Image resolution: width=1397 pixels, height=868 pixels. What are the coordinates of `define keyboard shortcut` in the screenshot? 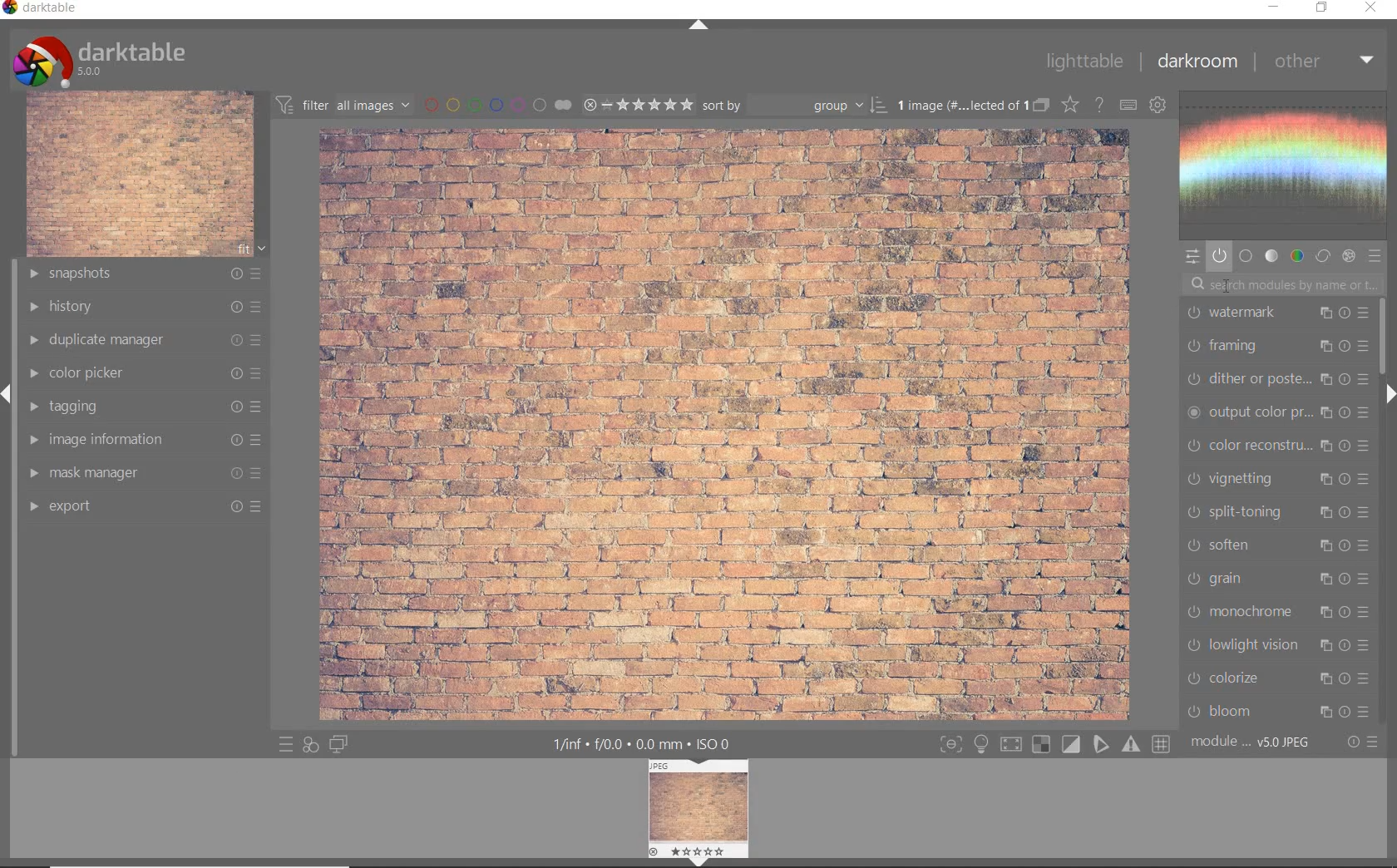 It's located at (1127, 106).